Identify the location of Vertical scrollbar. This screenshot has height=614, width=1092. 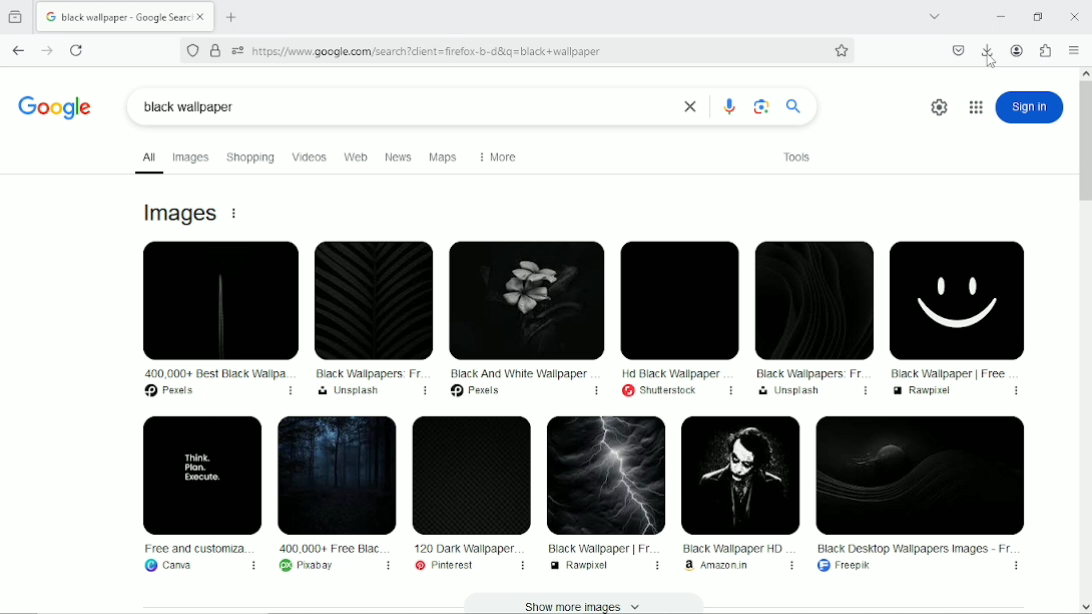
(1085, 144).